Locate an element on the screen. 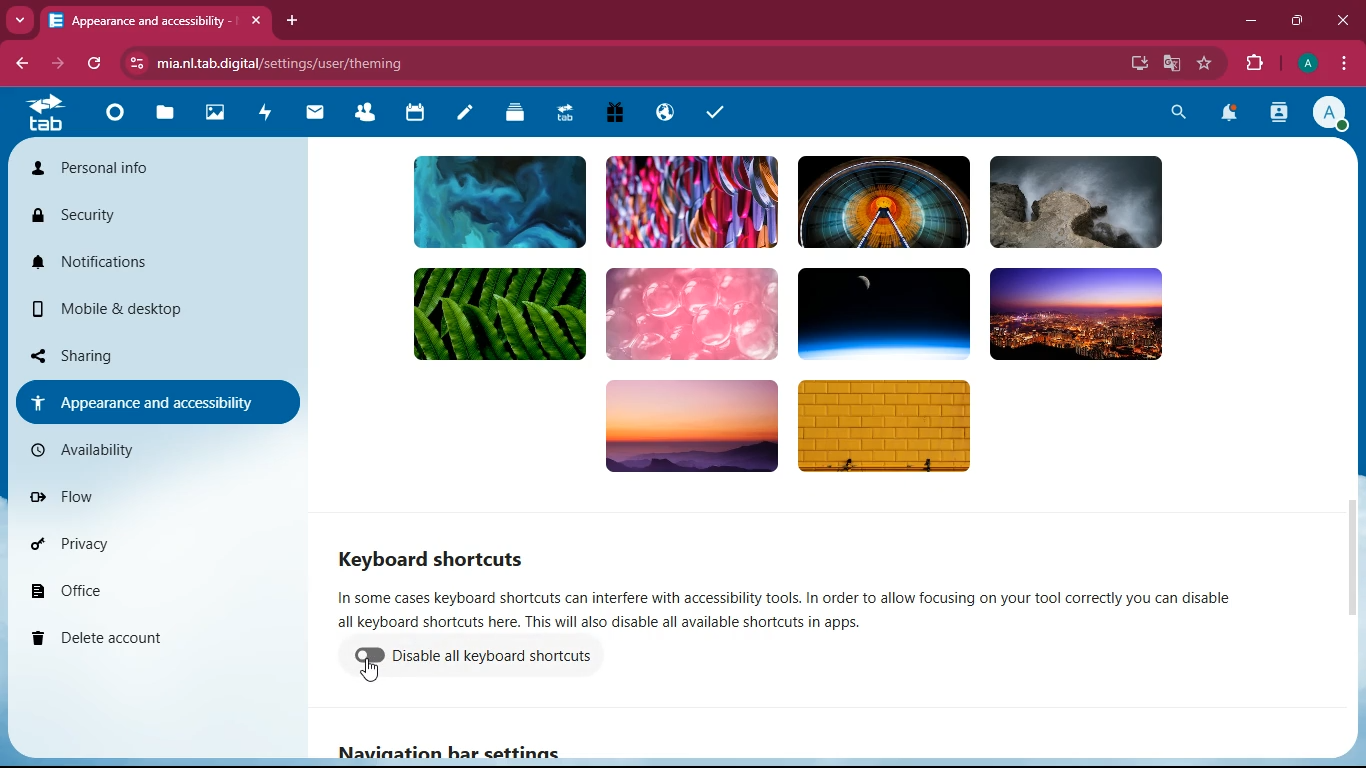 The image size is (1366, 768). notifications is located at coordinates (143, 263).